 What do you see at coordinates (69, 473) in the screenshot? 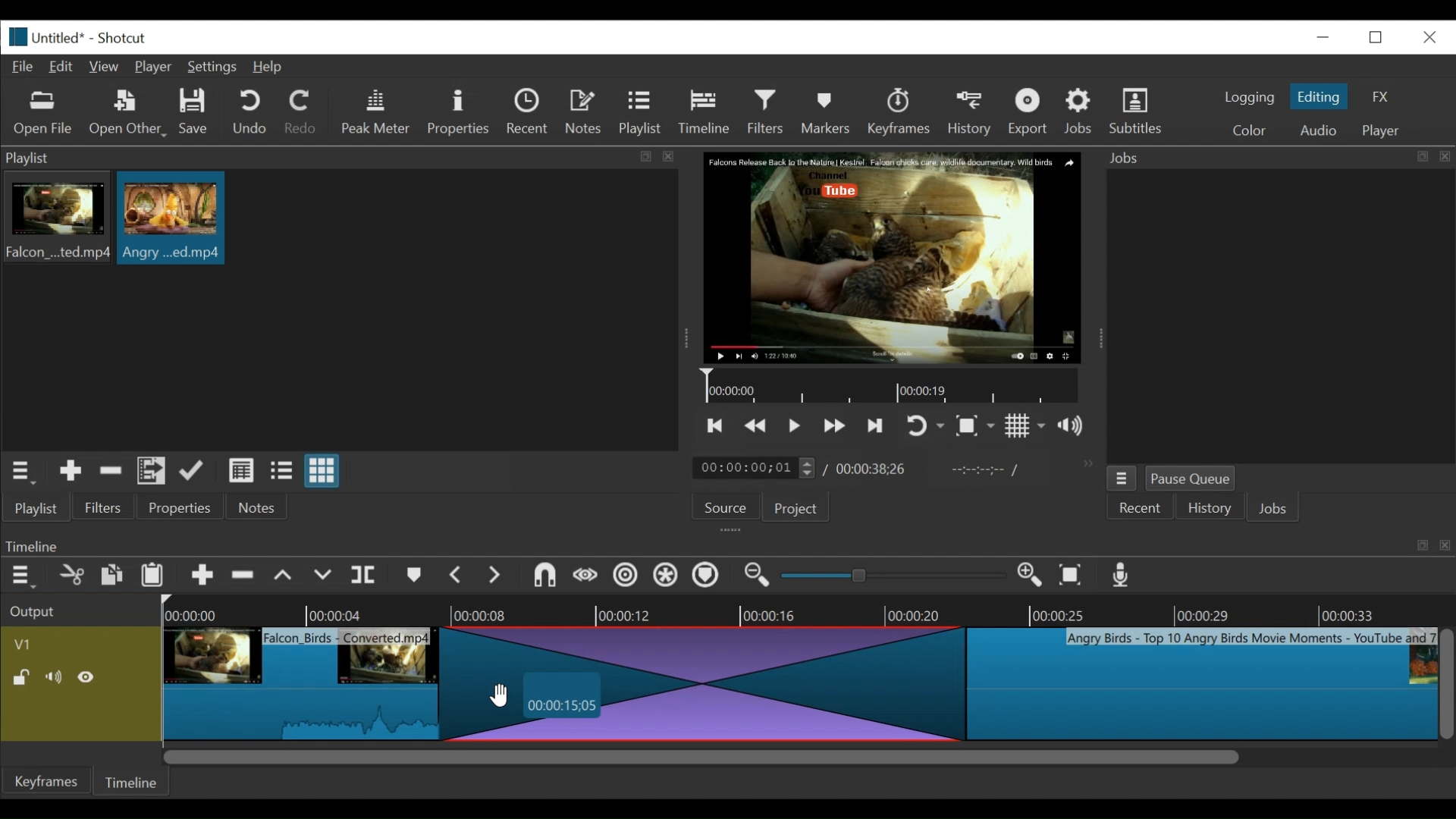
I see `Add the source to the playlist` at bounding box center [69, 473].